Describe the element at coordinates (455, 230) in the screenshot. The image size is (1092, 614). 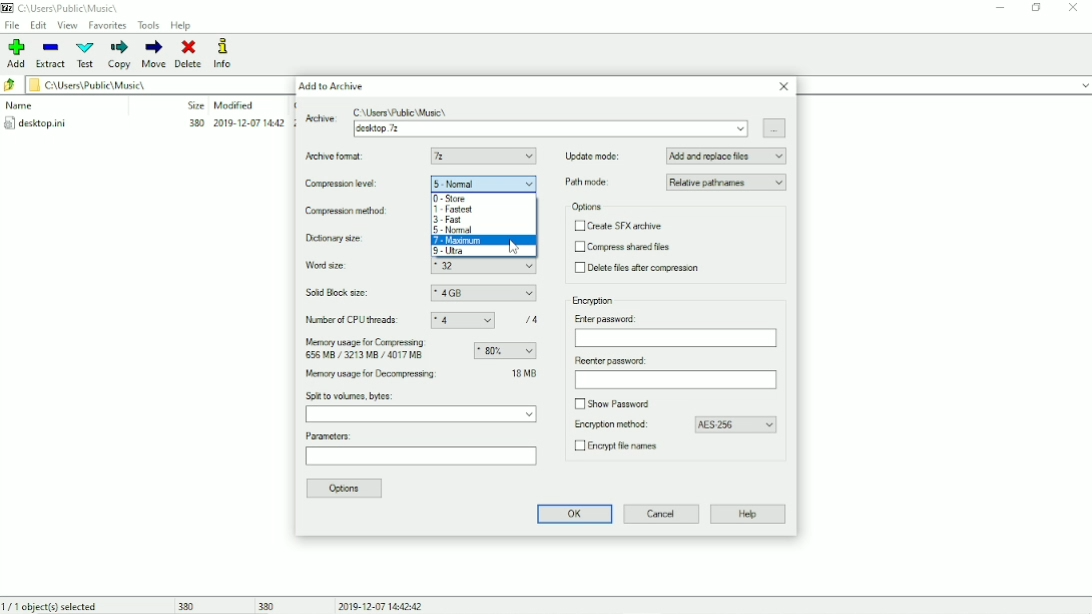
I see `5 - Normal` at that location.